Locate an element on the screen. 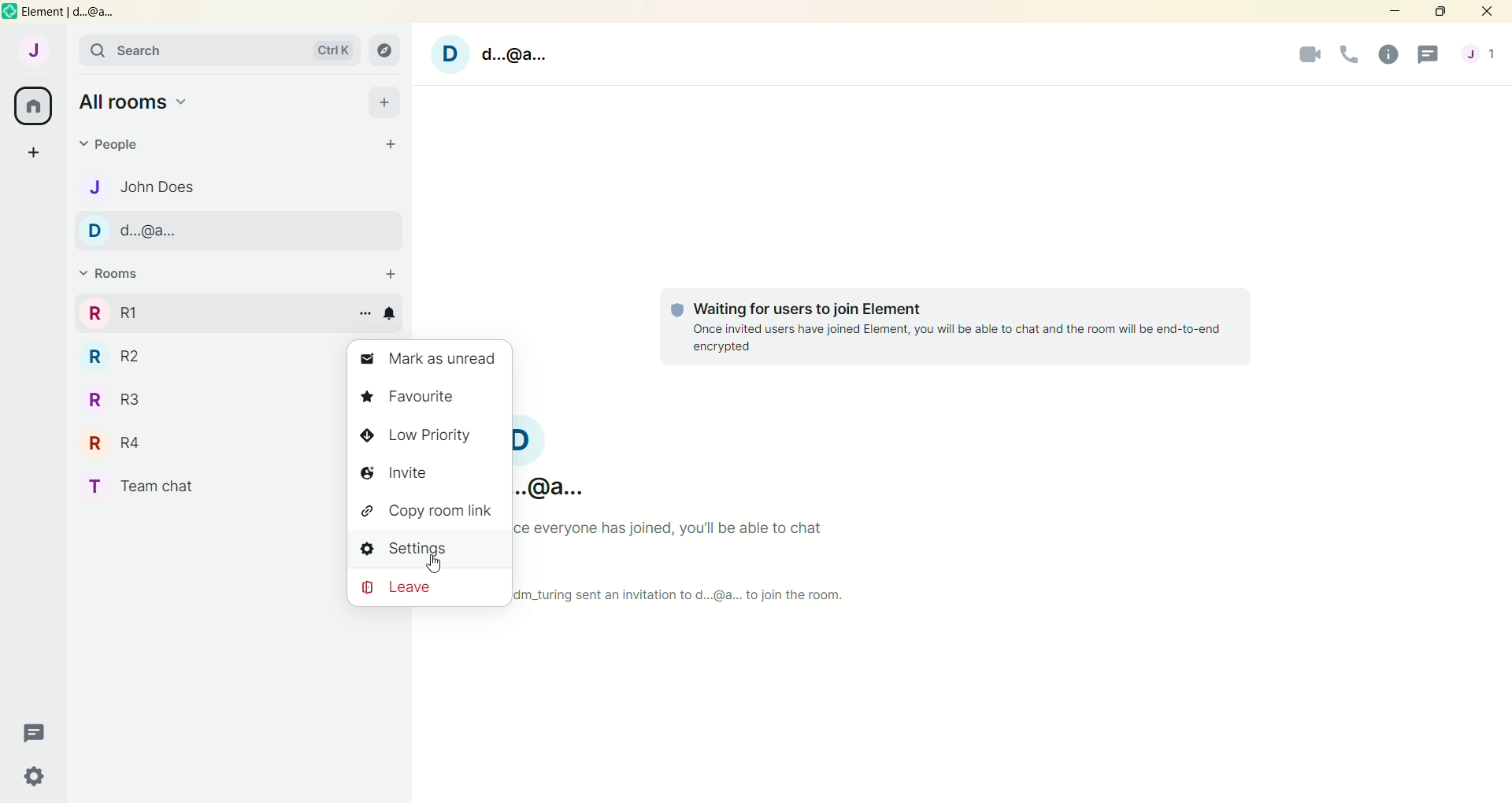 This screenshot has height=803, width=1512. video call is located at coordinates (1311, 57).